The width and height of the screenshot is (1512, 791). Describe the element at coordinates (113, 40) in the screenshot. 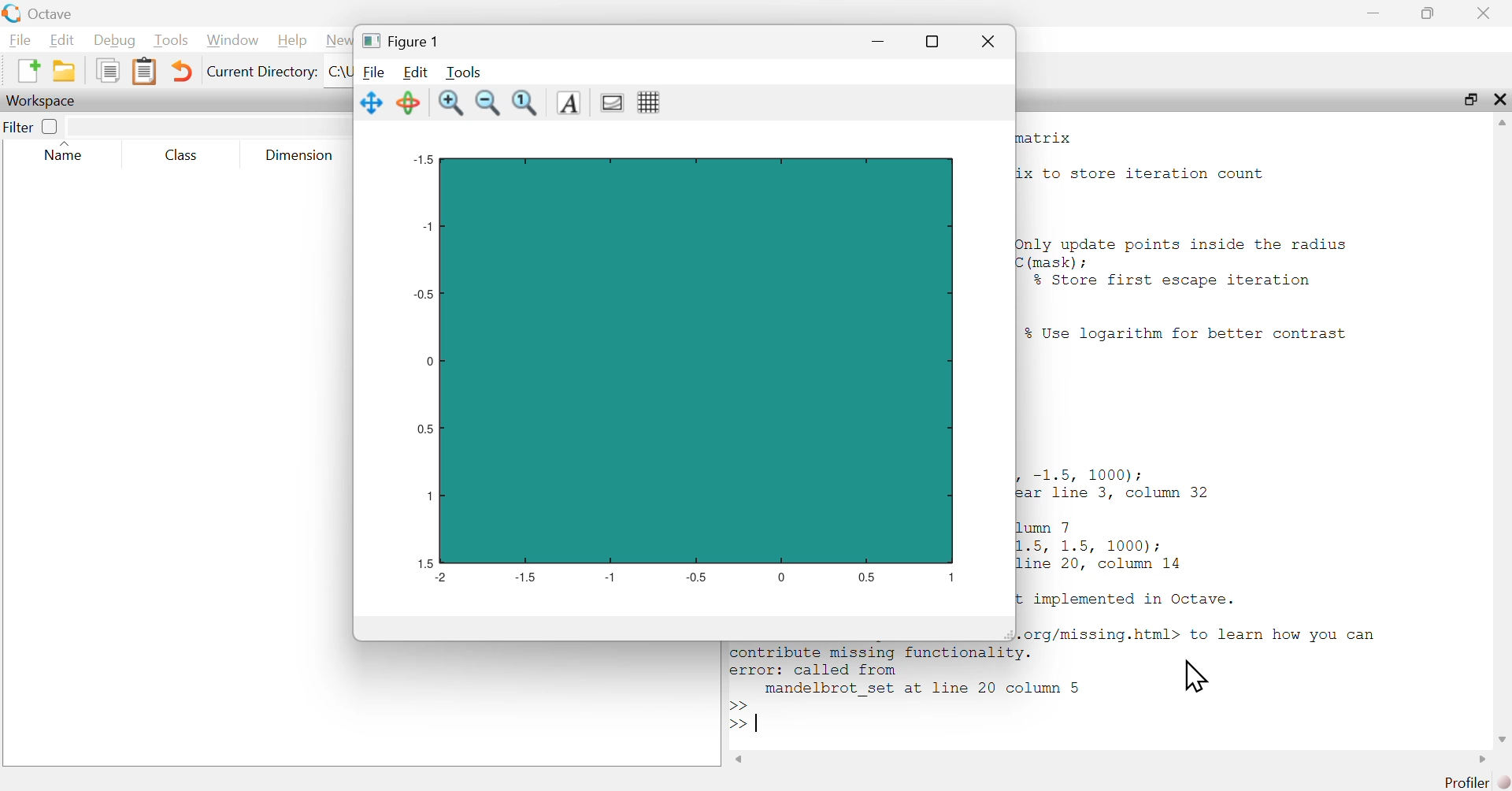

I see `Debug` at that location.